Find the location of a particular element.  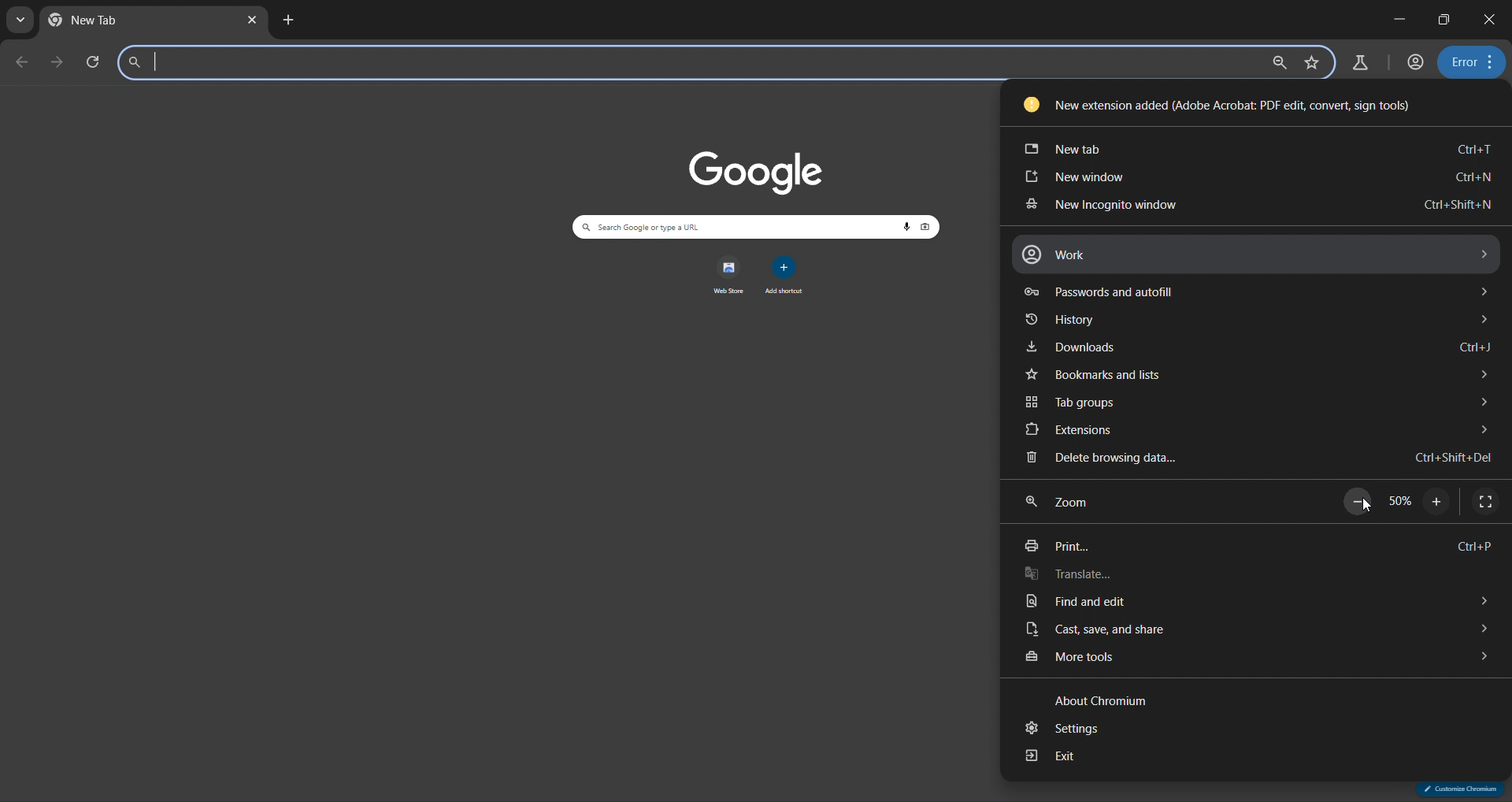

new incognito window is located at coordinates (1260, 205).